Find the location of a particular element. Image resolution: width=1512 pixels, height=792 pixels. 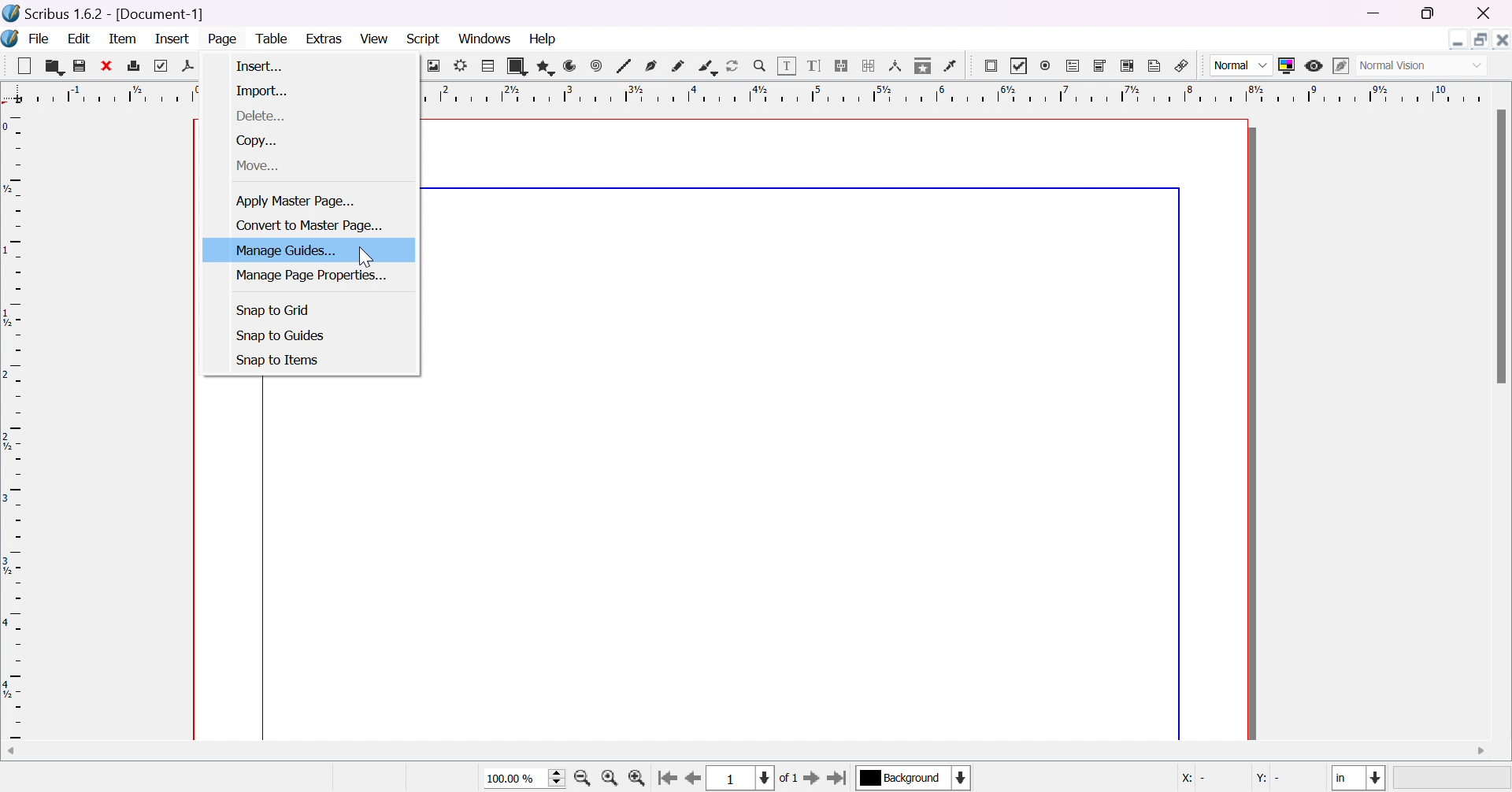

polygon is located at coordinates (548, 65).